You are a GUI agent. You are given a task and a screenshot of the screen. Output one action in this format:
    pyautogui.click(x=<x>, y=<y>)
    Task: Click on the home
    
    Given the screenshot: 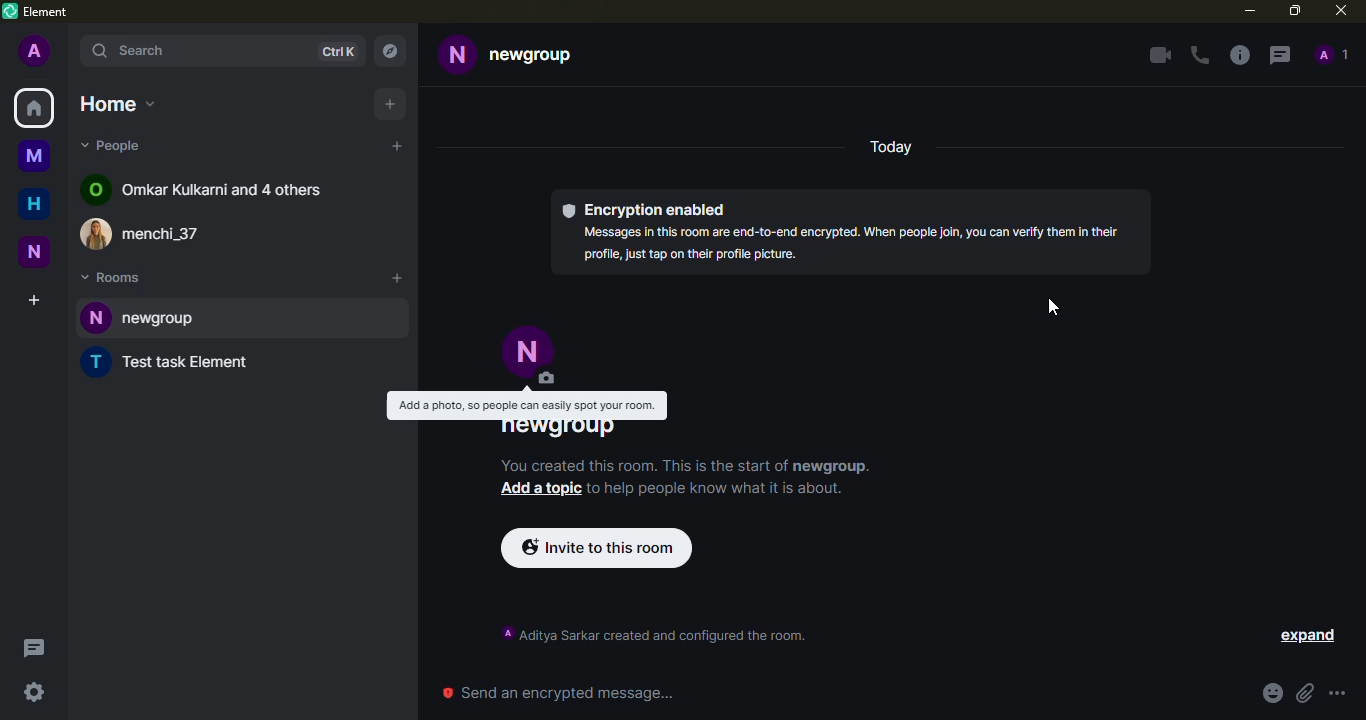 What is the action you would take?
    pyautogui.click(x=118, y=104)
    